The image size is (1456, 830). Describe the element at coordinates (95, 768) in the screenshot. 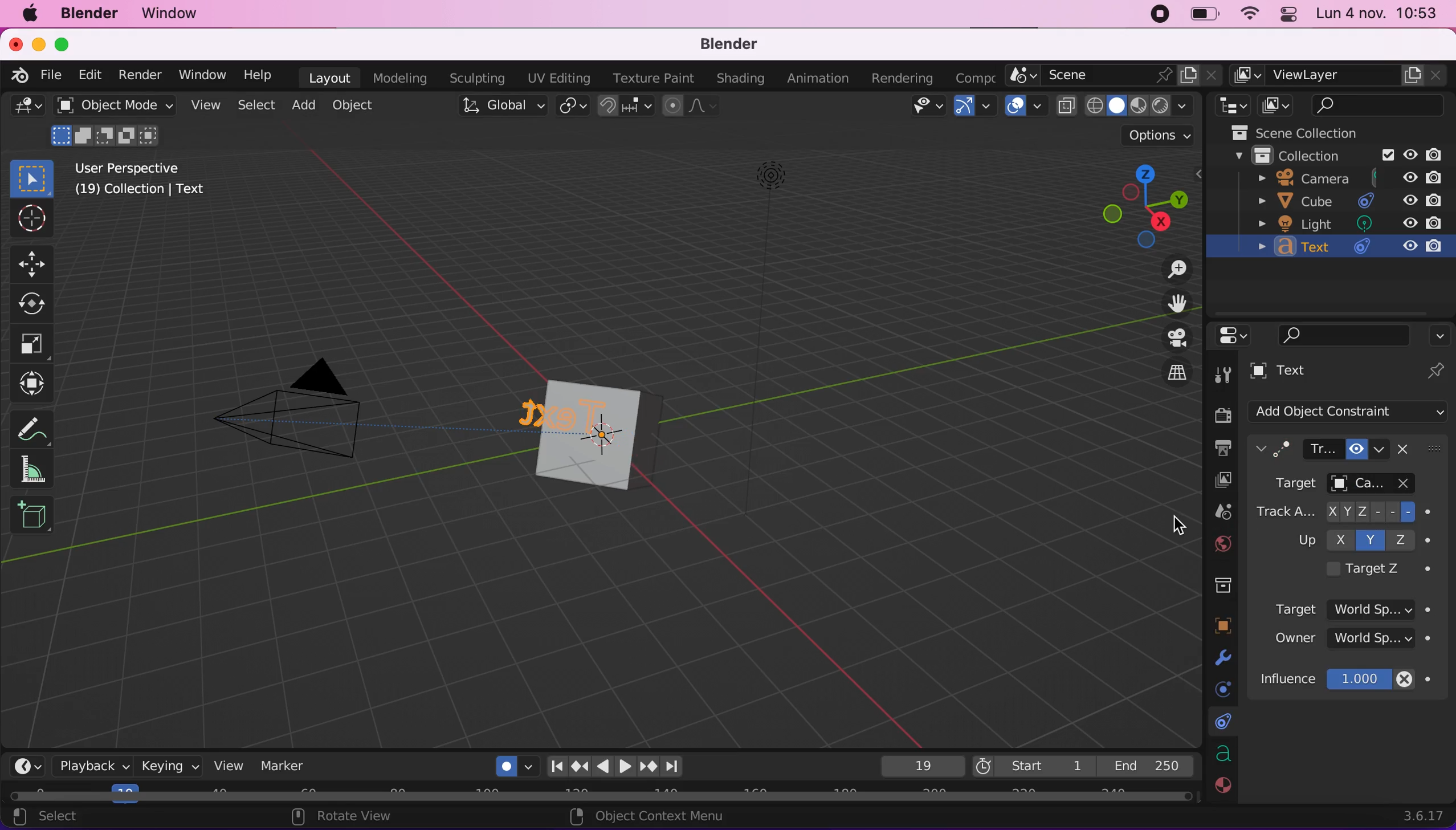

I see `playback` at that location.